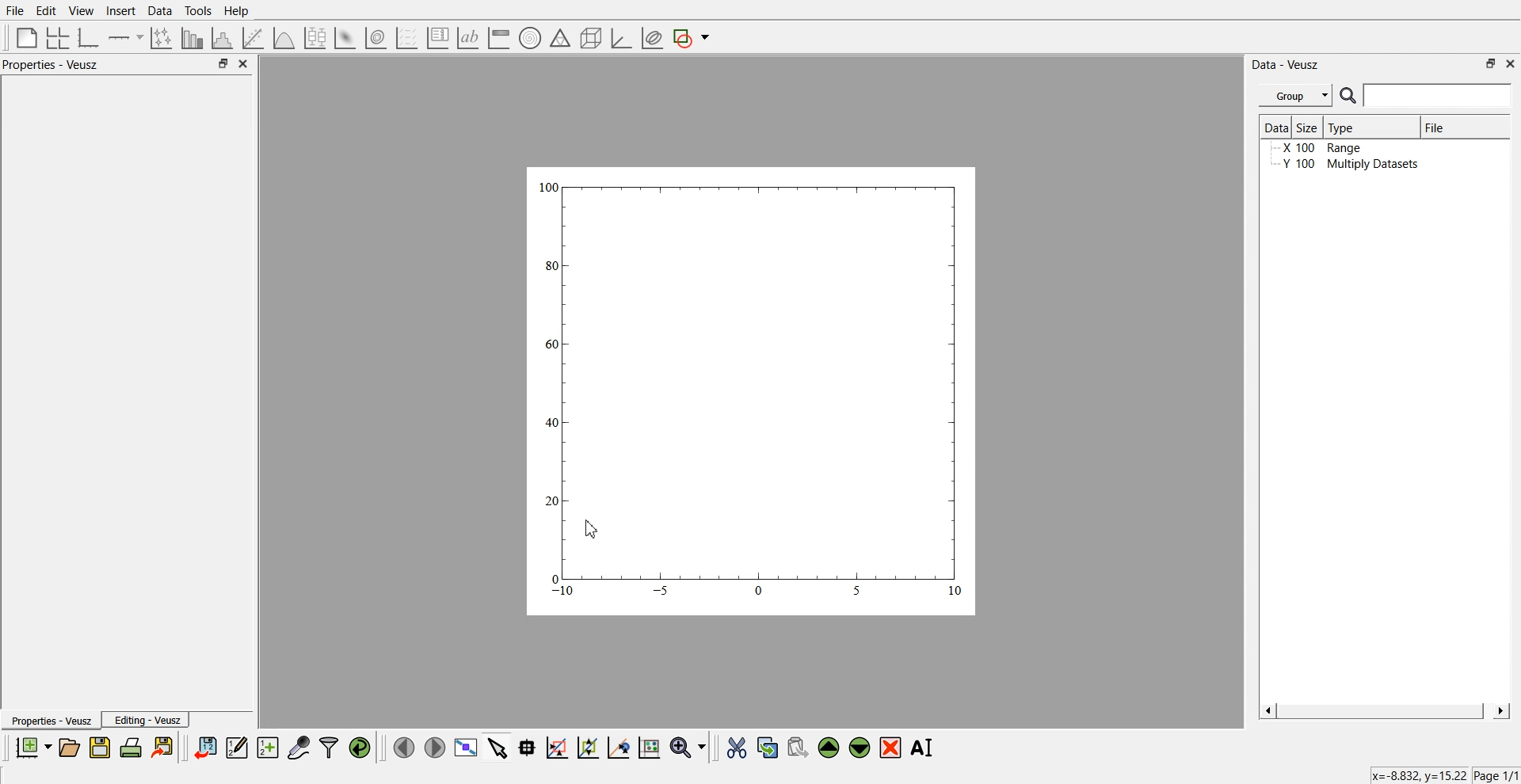 The width and height of the screenshot is (1521, 784). I want to click on copy the selected widgets, so click(768, 747).